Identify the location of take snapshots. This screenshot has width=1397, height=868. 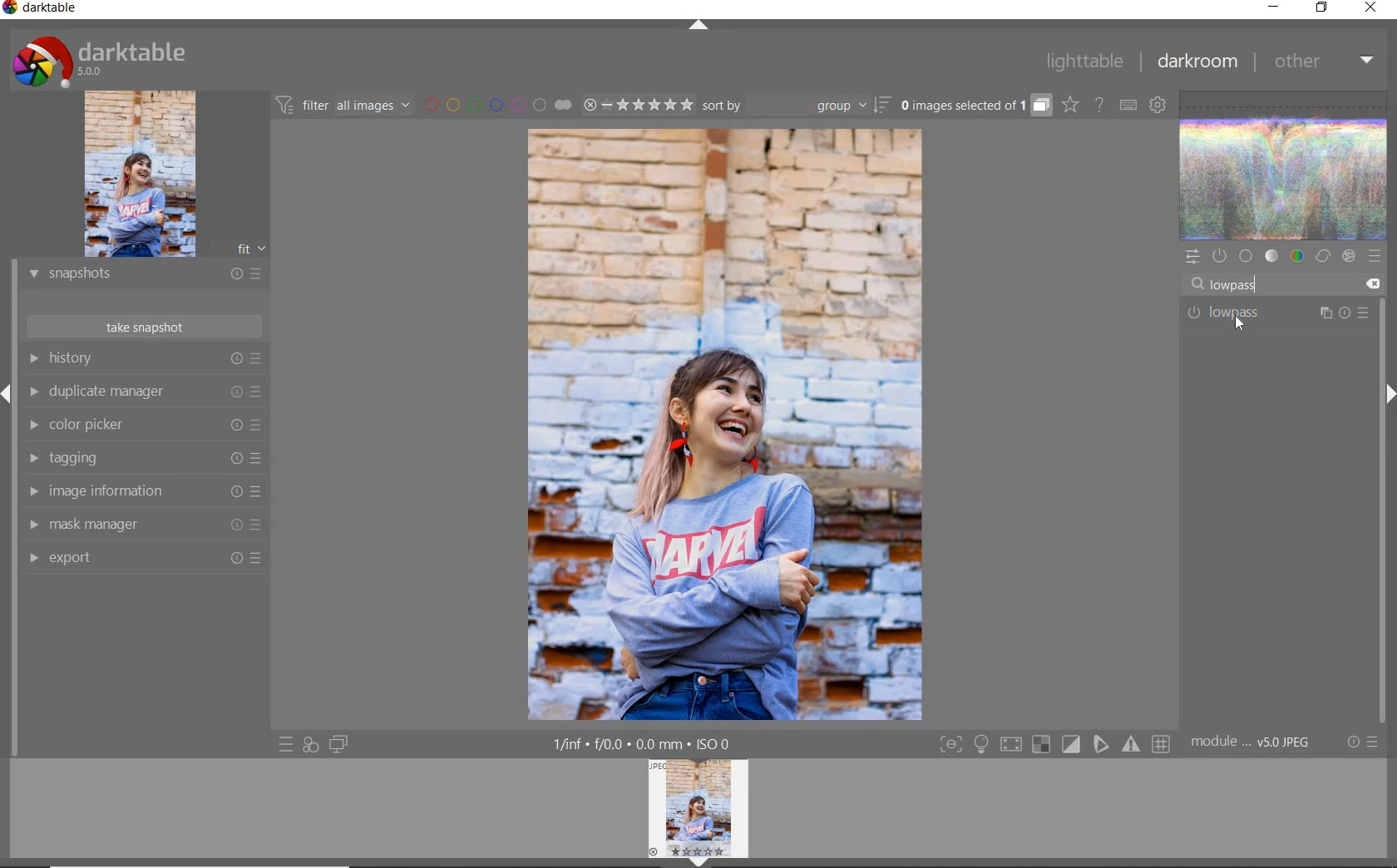
(143, 328).